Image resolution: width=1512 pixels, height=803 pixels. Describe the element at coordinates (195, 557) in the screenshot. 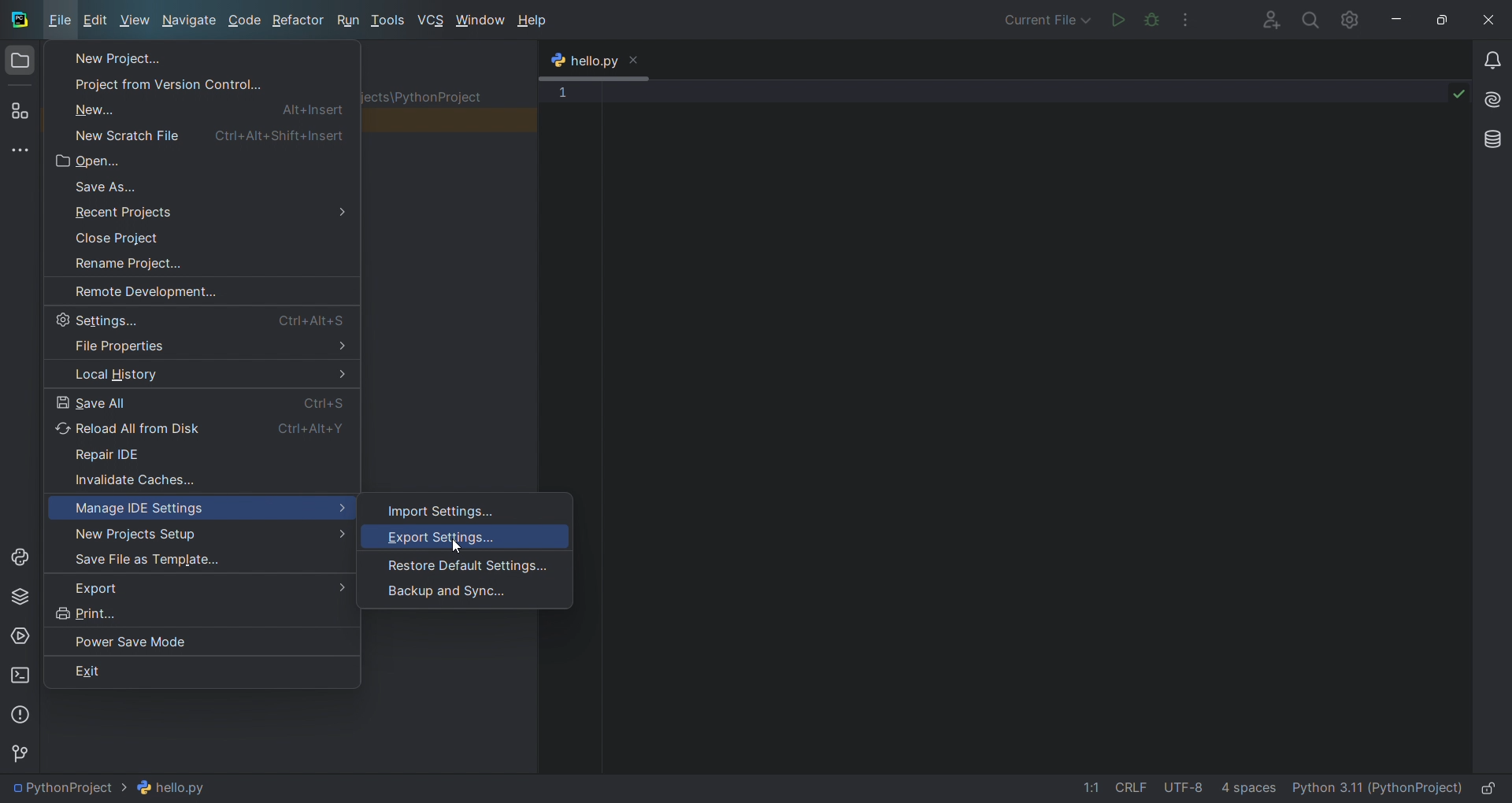

I see `save file as template` at that location.